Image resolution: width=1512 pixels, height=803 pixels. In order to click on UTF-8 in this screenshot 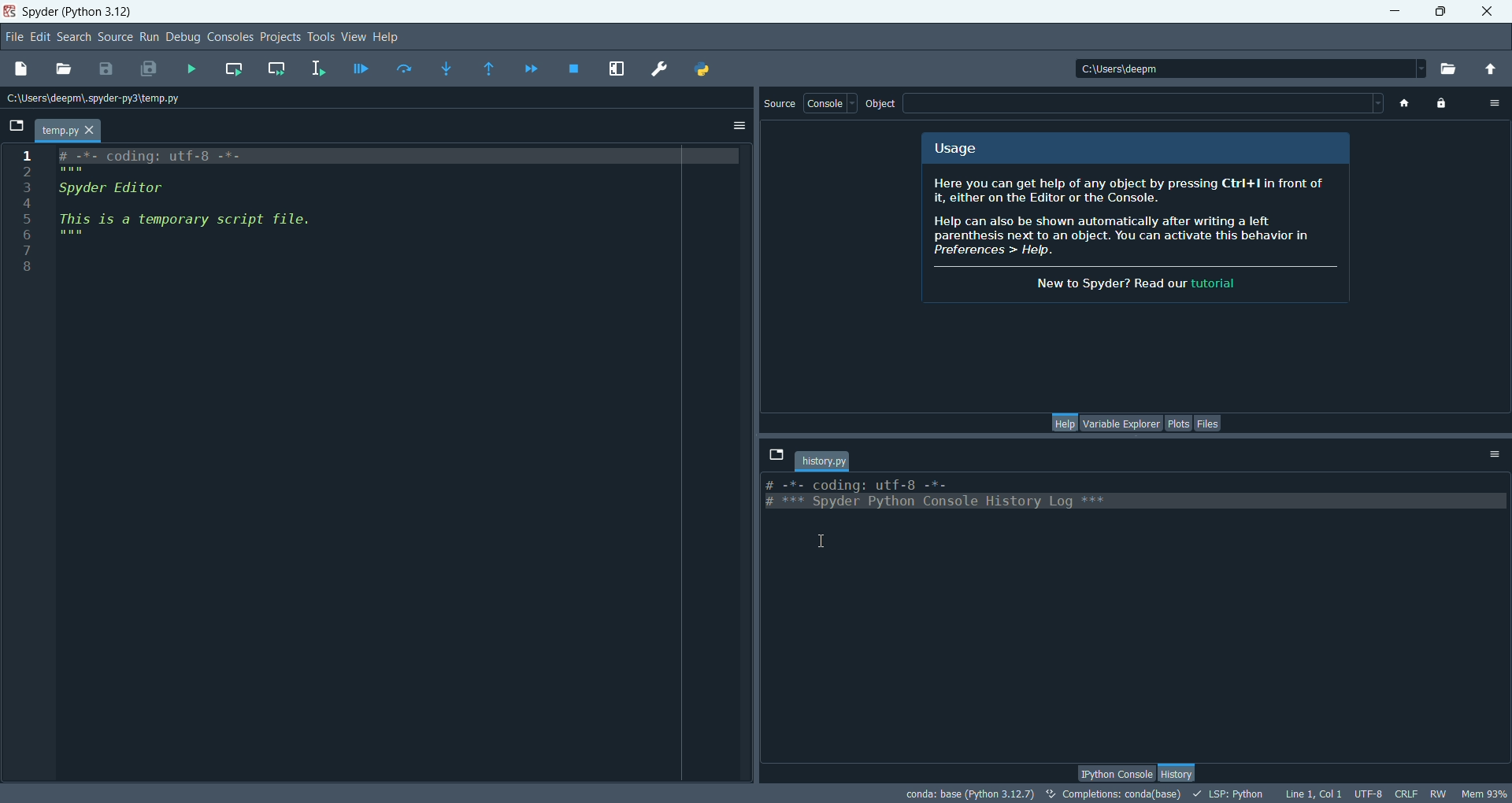, I will do `click(1366, 794)`.